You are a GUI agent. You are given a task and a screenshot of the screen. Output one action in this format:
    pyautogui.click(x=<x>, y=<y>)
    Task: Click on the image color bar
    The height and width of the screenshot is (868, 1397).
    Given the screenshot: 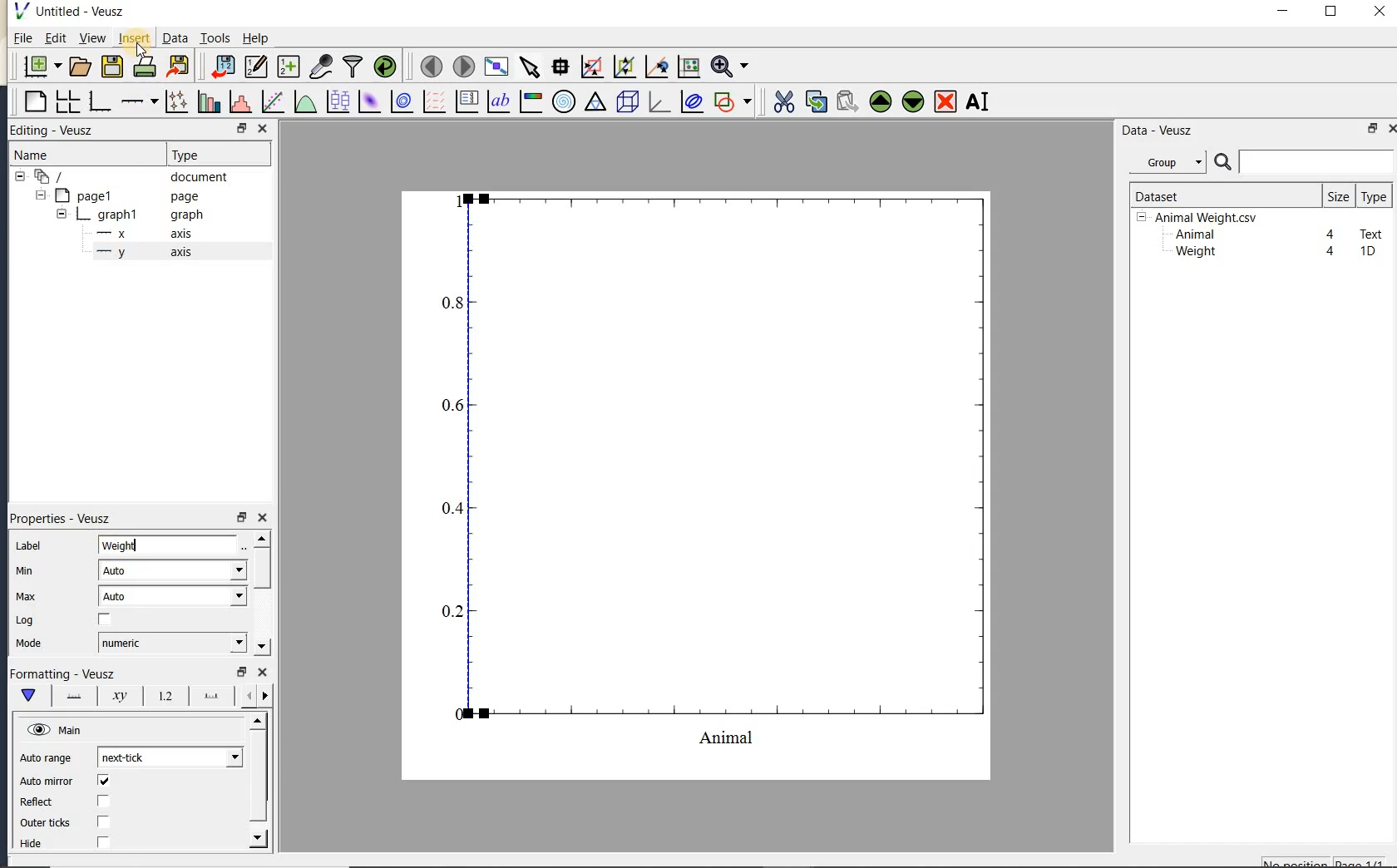 What is the action you would take?
    pyautogui.click(x=531, y=101)
    